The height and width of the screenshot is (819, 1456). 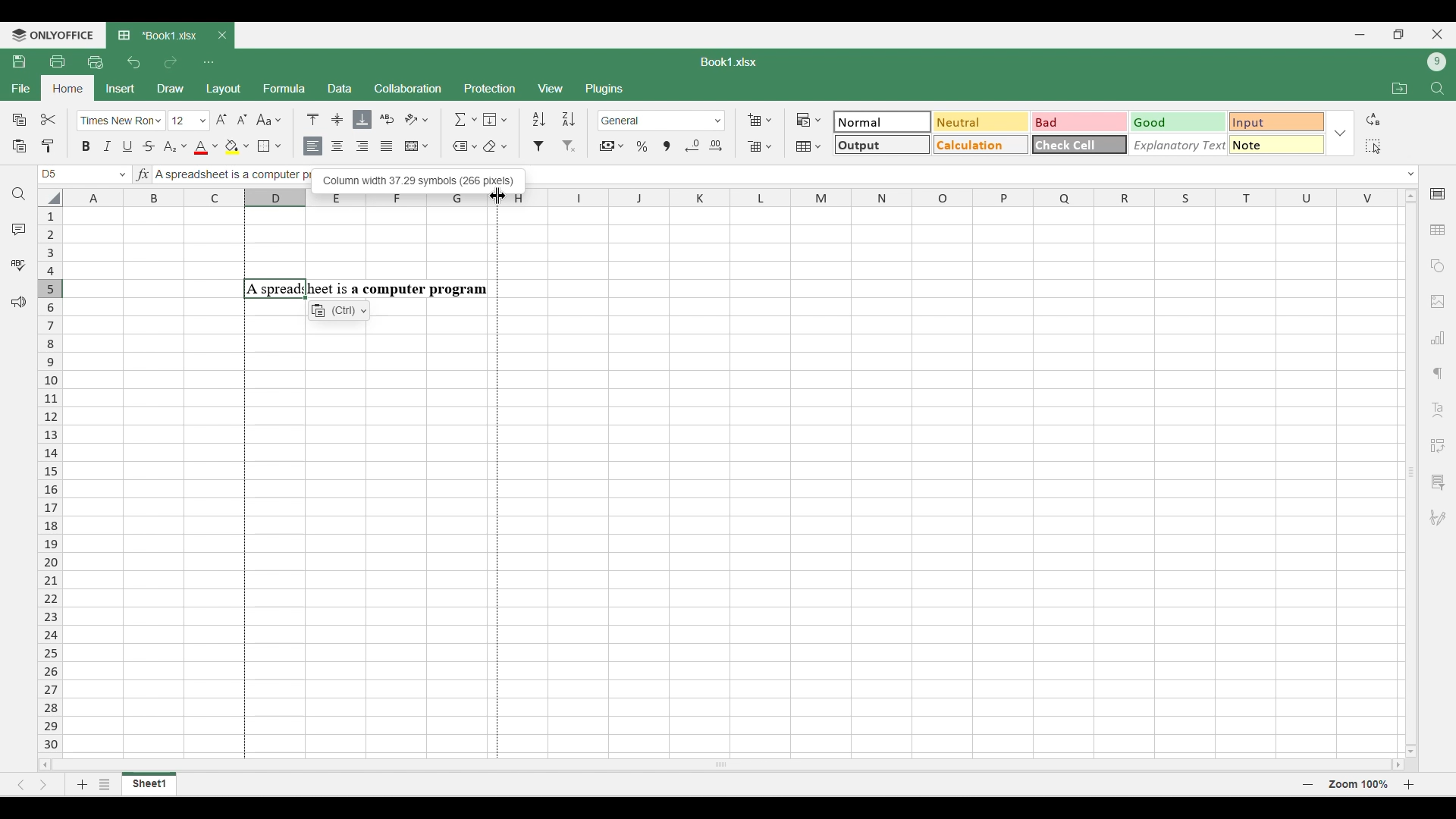 I want to click on Cell settings, so click(x=1439, y=194).